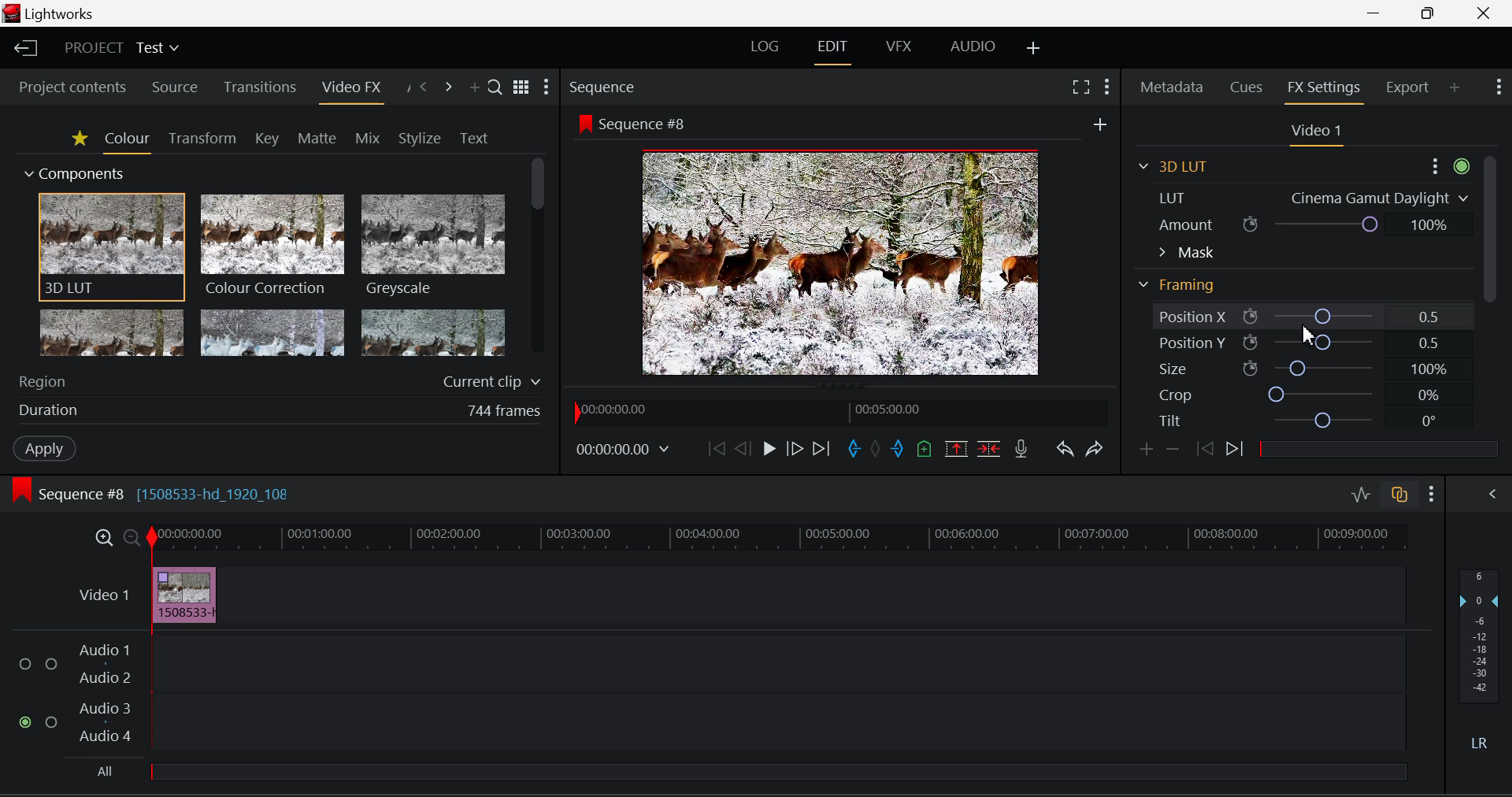 Image resolution: width=1512 pixels, height=797 pixels. I want to click on EDIT Layout, so click(831, 50).